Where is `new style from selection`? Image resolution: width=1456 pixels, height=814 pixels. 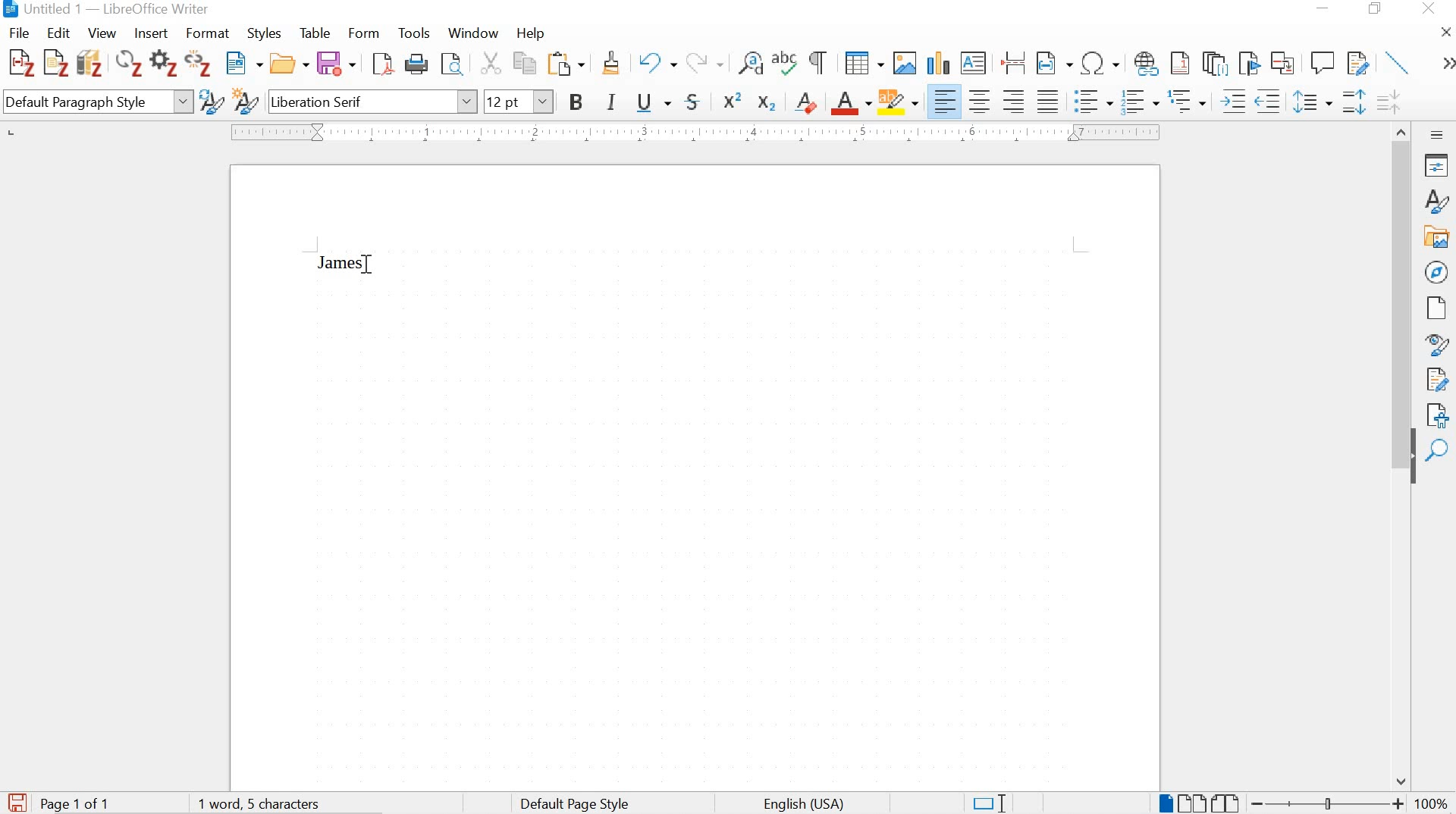
new style from selection is located at coordinates (245, 103).